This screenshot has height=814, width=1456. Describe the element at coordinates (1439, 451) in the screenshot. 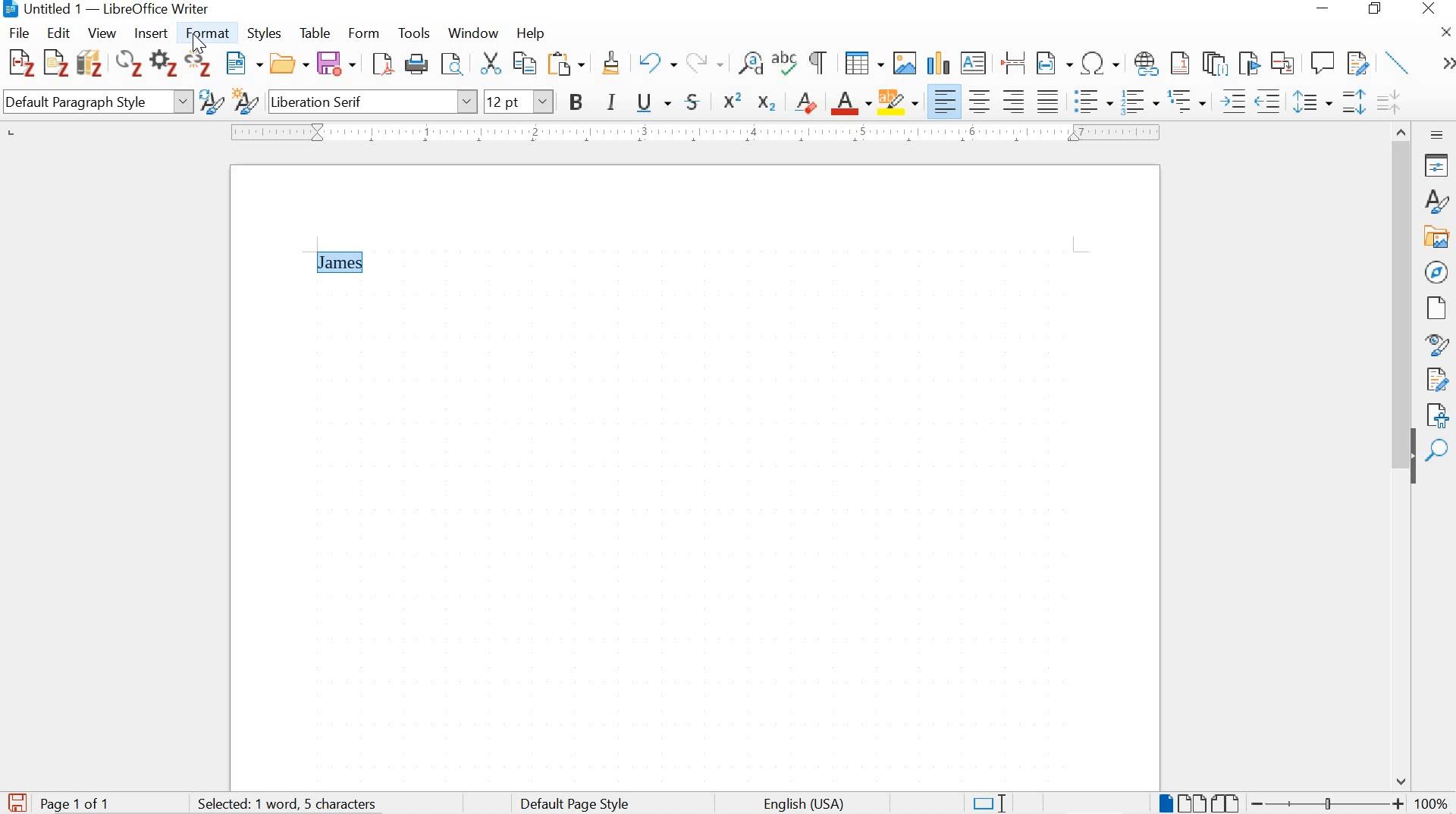

I see `find` at that location.